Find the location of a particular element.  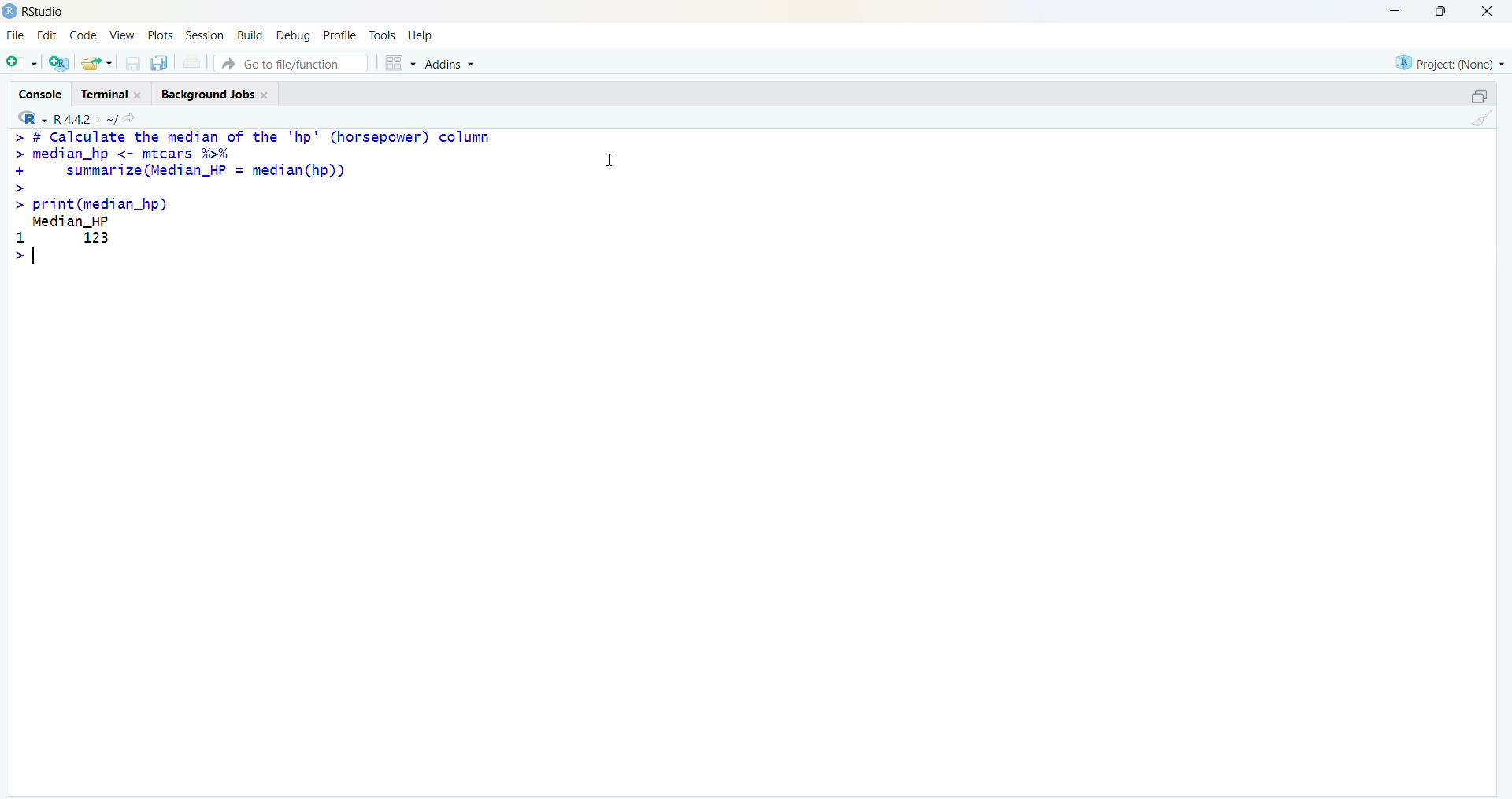

view is located at coordinates (123, 36).